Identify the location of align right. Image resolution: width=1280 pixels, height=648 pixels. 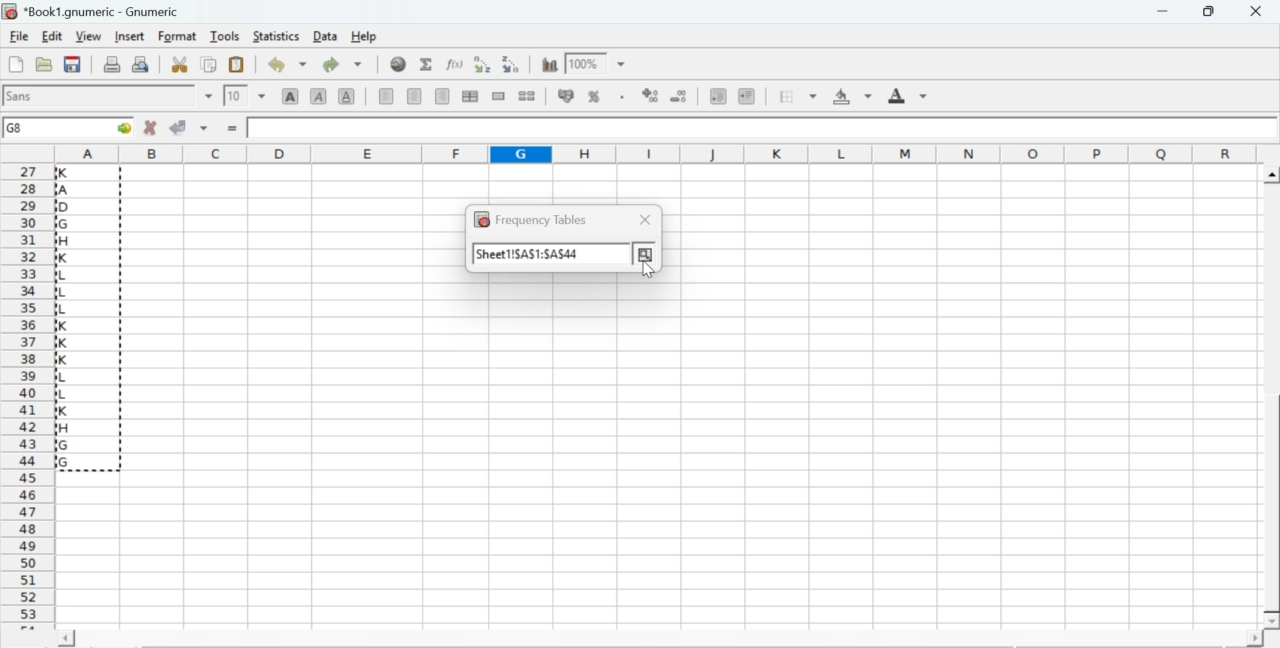
(442, 97).